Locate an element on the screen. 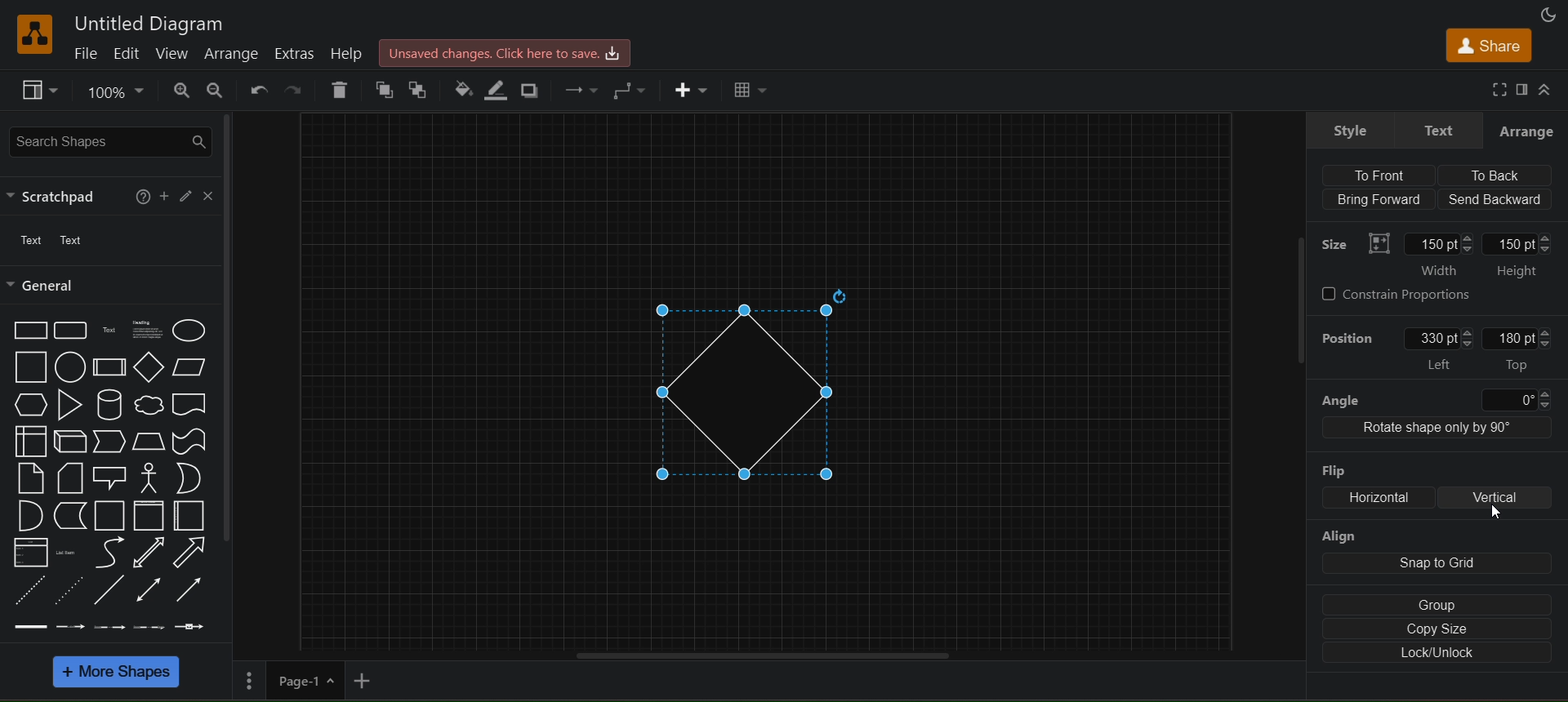 This screenshot has height=702, width=1568. trapezoid is located at coordinates (149, 440).